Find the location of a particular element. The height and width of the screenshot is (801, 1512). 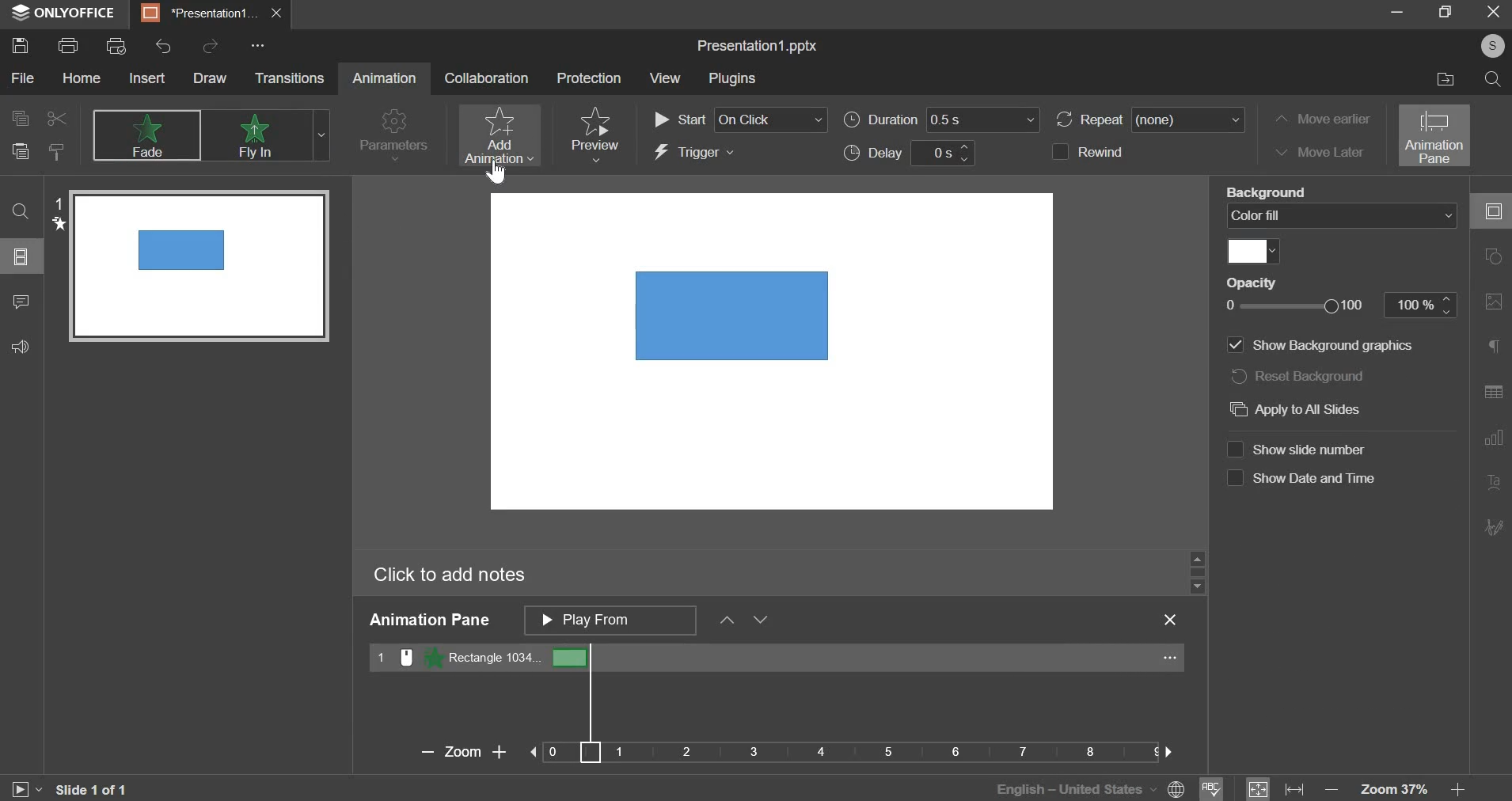

Slide Transition is located at coordinates (1493, 435).